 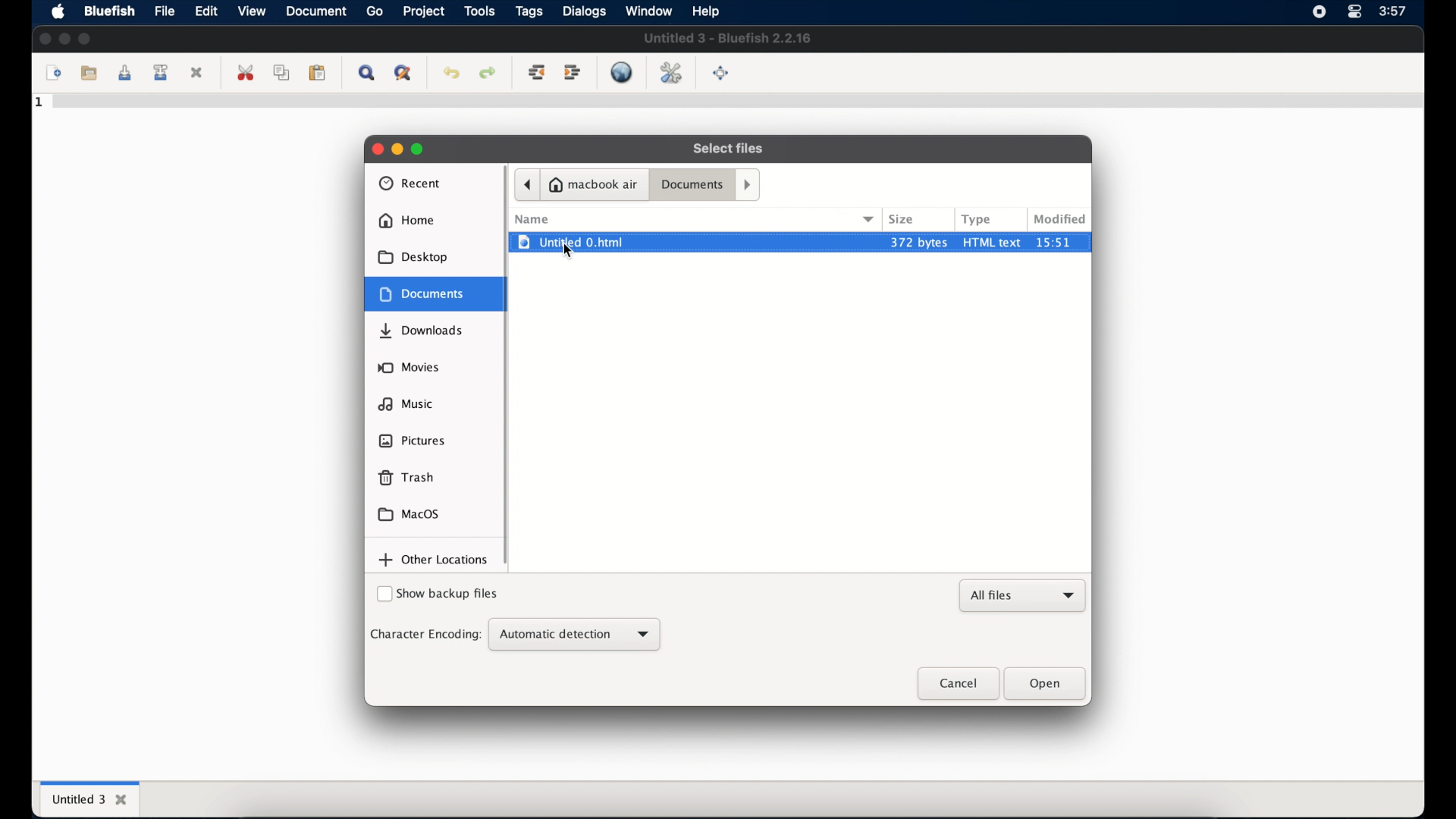 What do you see at coordinates (692, 242) in the screenshot?
I see `Untitled 0.html` at bounding box center [692, 242].